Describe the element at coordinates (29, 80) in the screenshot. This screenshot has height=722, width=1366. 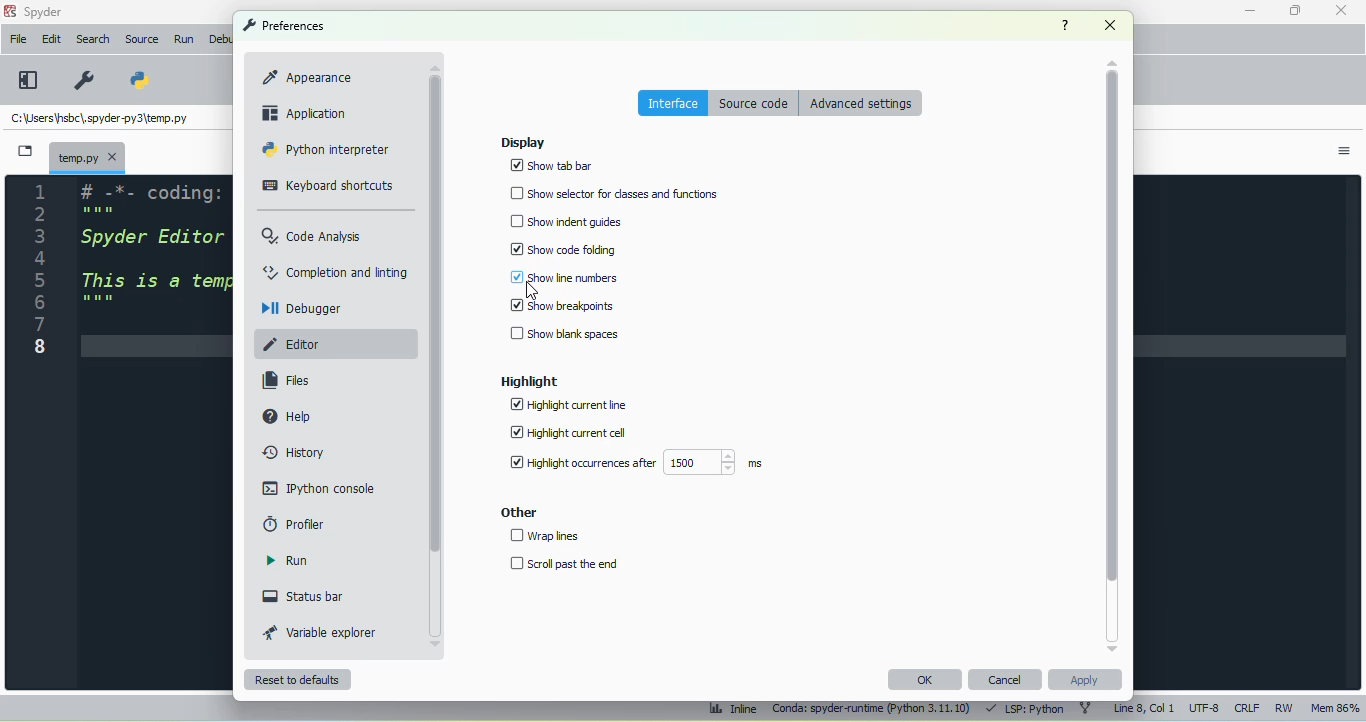
I see `maximize current pane` at that location.